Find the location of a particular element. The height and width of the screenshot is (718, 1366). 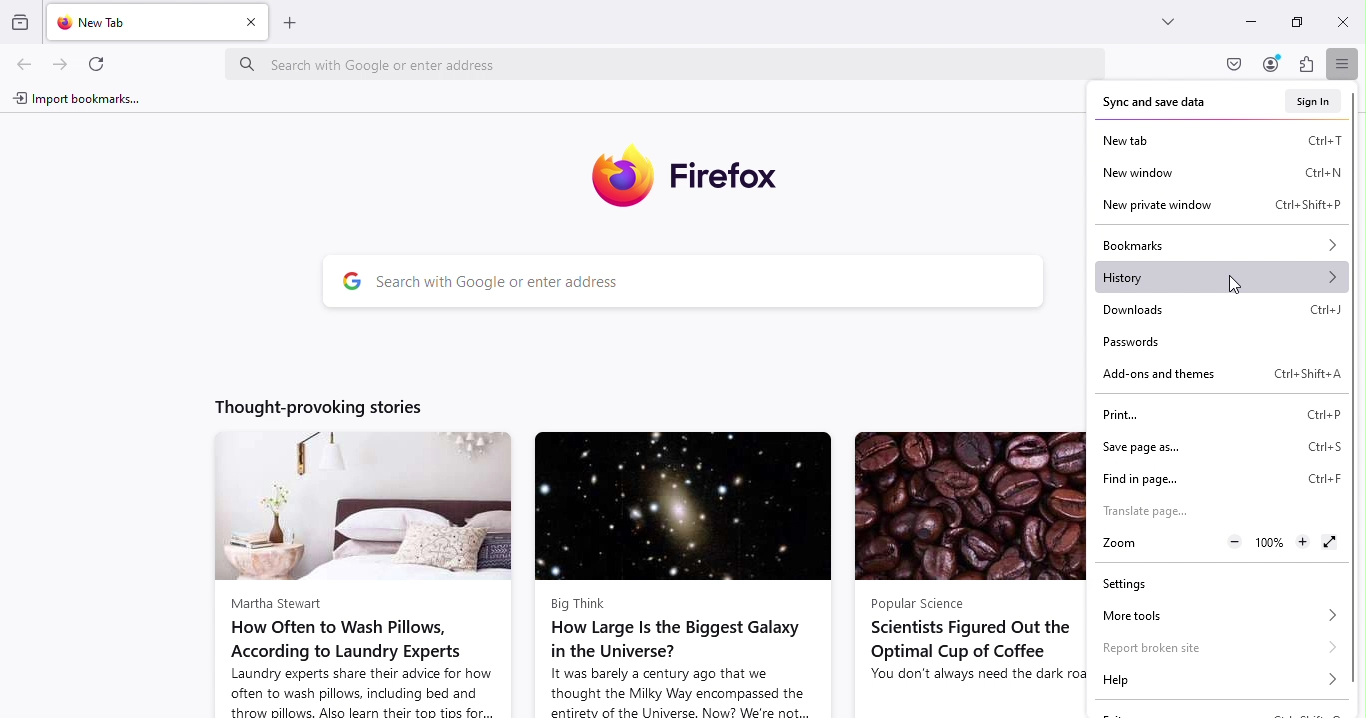

Address bar is located at coordinates (668, 63).